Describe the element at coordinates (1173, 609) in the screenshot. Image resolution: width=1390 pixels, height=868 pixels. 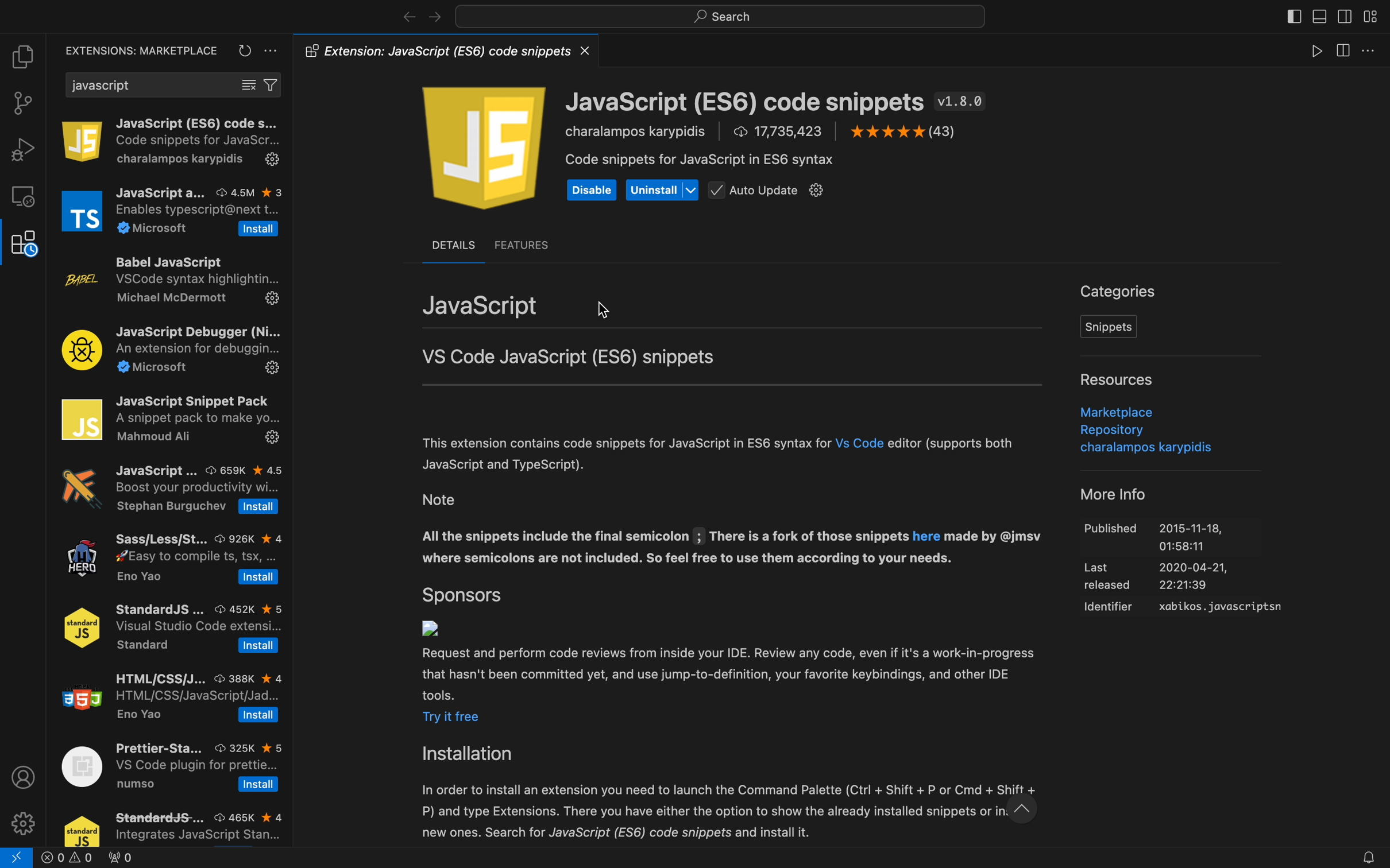
I see `` at that location.